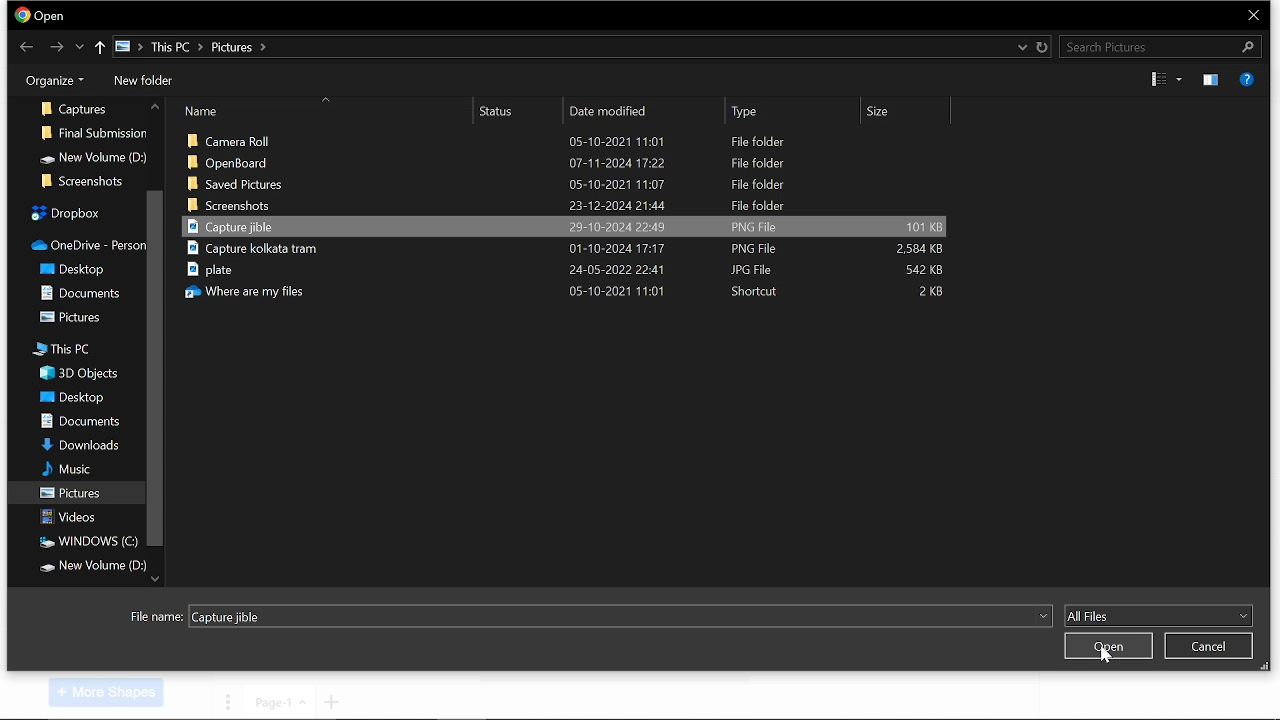 The image size is (1280, 720). What do you see at coordinates (74, 470) in the screenshot?
I see `folders` at bounding box center [74, 470].